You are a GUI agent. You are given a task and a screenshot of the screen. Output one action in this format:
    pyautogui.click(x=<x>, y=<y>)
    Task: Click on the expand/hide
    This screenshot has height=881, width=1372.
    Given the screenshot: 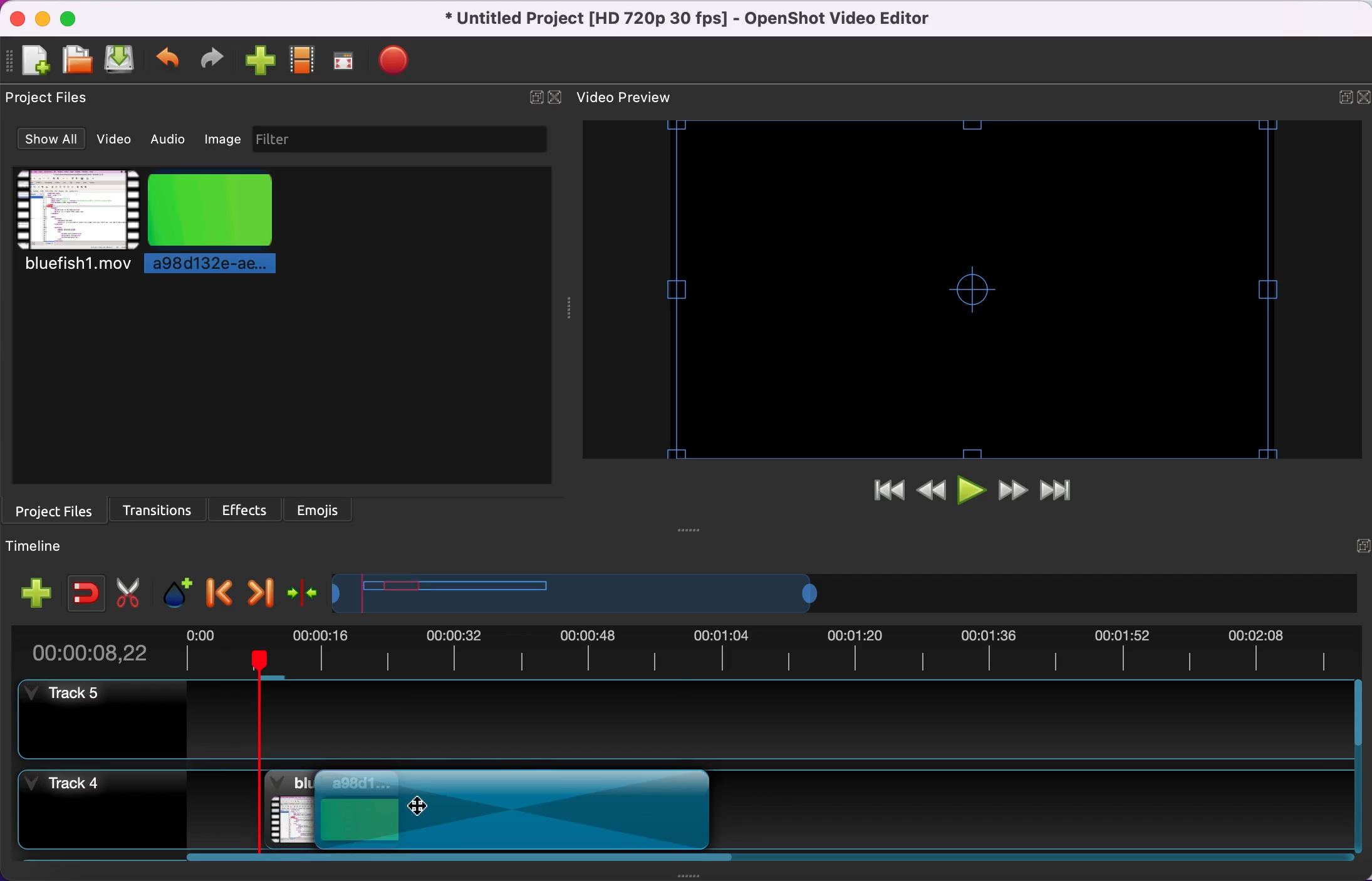 What is the action you would take?
    pyautogui.click(x=1356, y=536)
    